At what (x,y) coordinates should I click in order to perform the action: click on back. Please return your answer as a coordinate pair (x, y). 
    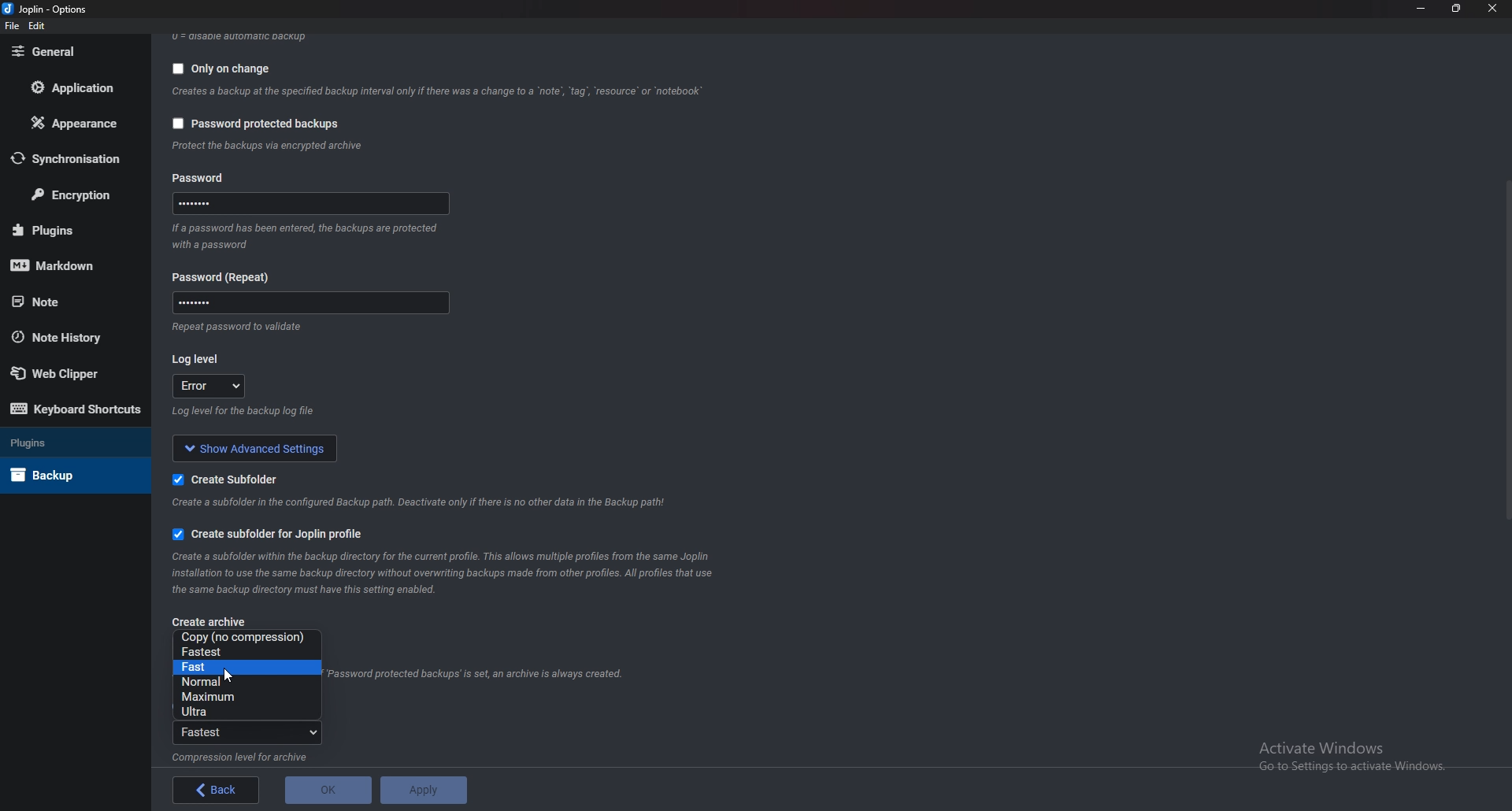
    Looking at the image, I should click on (219, 789).